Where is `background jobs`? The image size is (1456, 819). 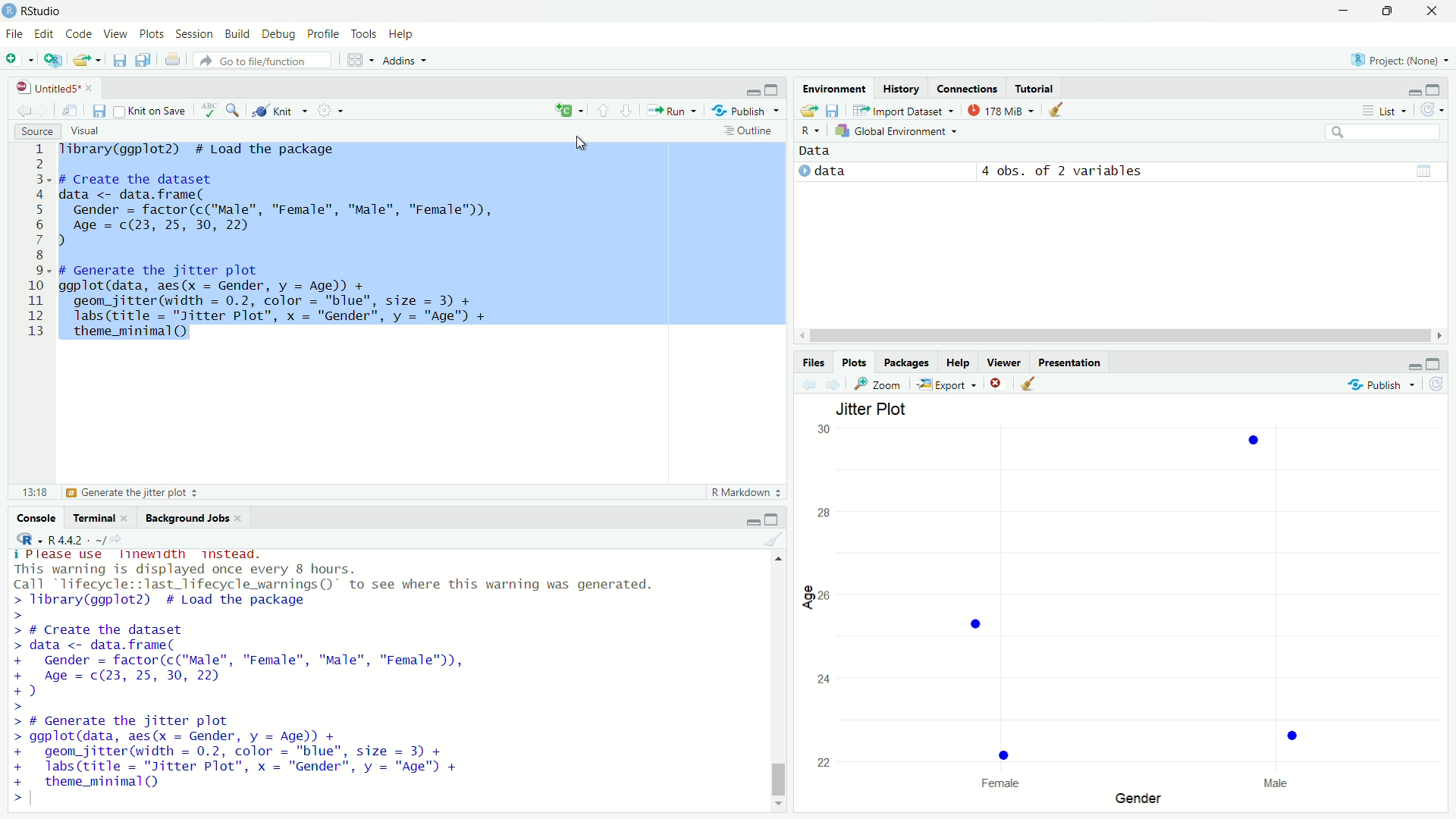 background jobs is located at coordinates (188, 516).